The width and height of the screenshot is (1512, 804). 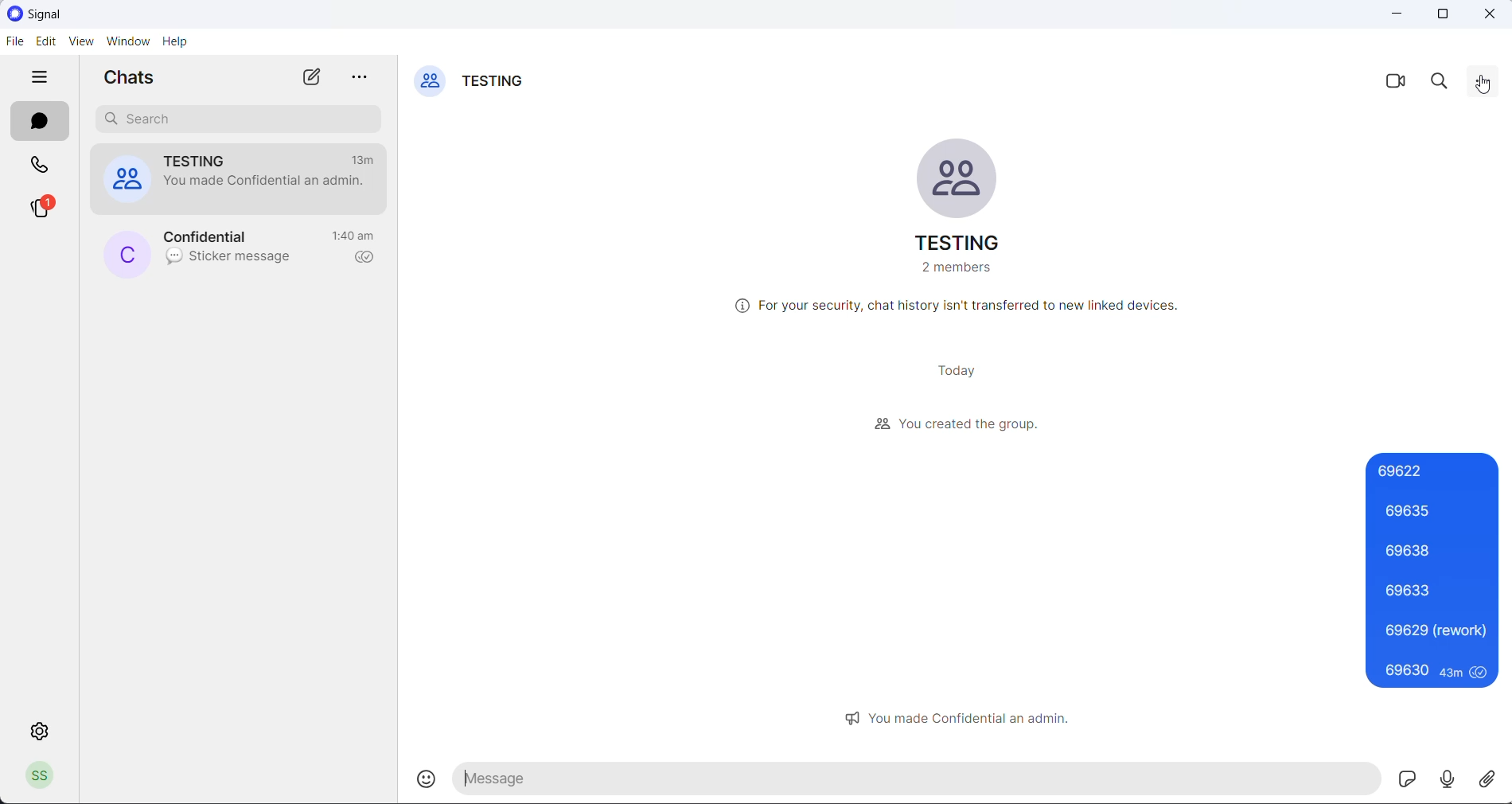 I want to click on security related text, so click(x=960, y=307).